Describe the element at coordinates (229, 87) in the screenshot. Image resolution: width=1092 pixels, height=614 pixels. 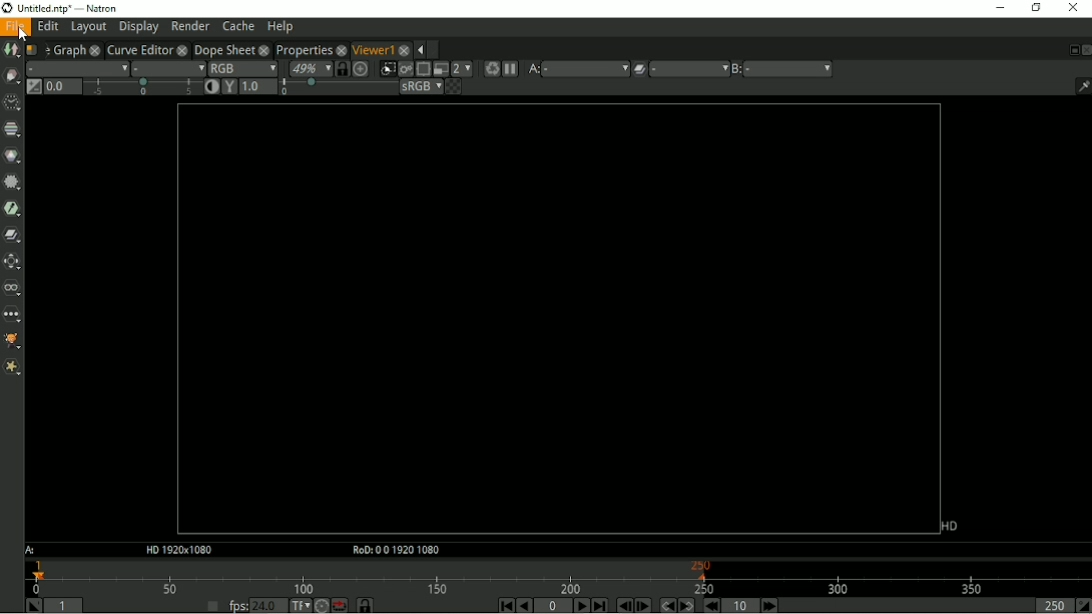
I see `Gamma correction` at that location.